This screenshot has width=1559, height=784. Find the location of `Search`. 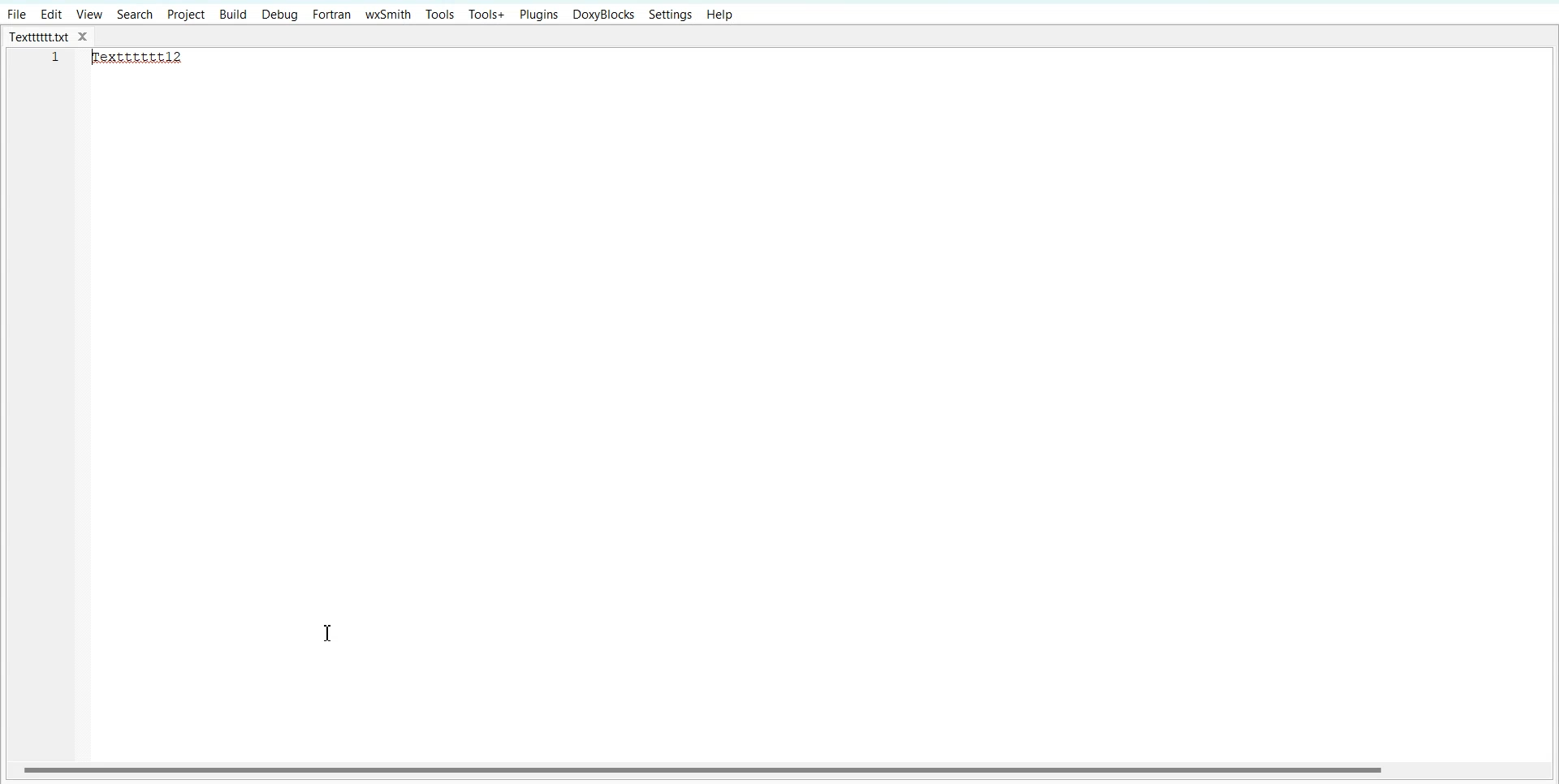

Search is located at coordinates (136, 14).